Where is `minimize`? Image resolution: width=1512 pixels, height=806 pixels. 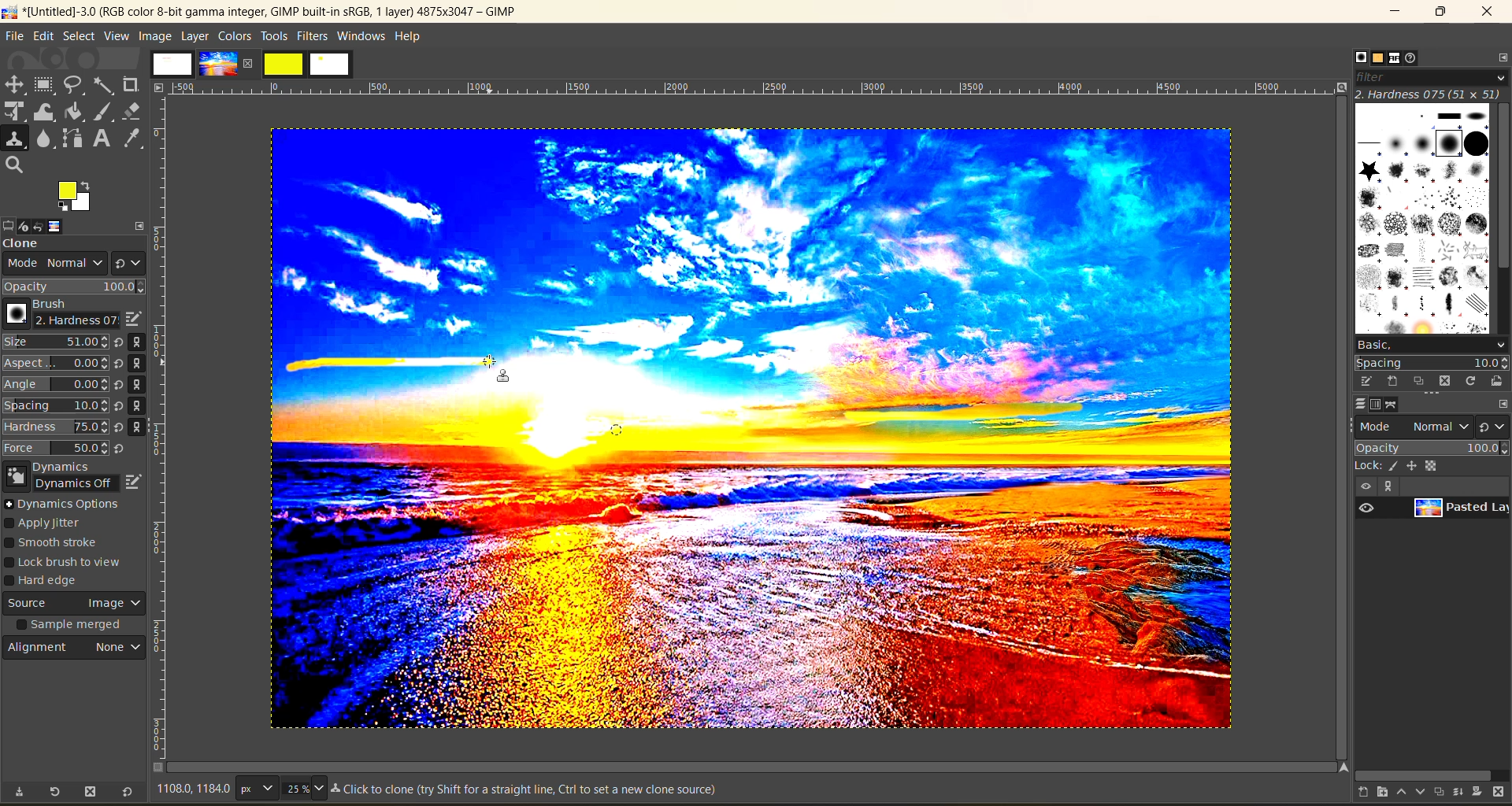
minimize is located at coordinates (1399, 12).